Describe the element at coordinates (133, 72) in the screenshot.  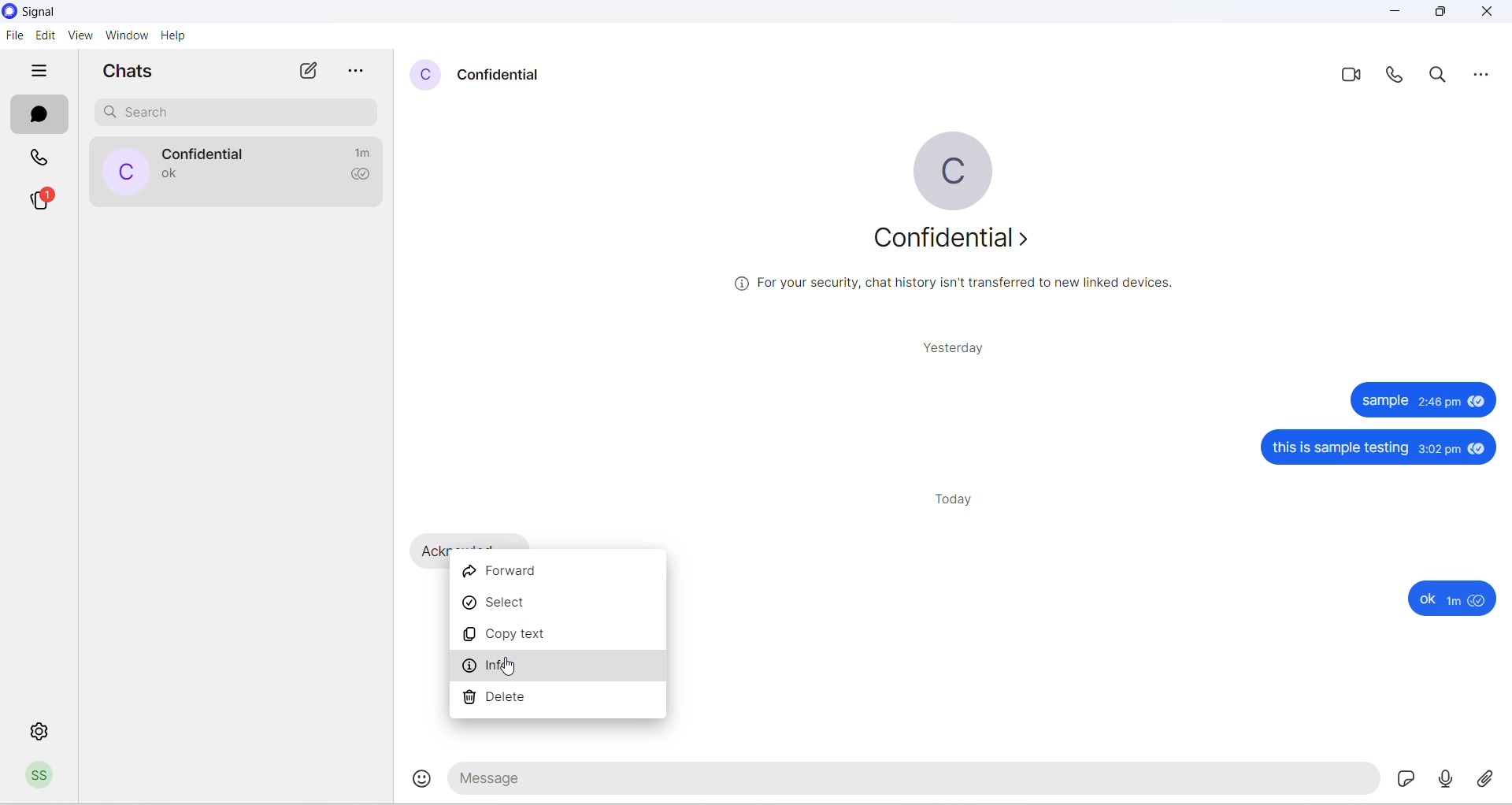
I see `chats heading` at that location.